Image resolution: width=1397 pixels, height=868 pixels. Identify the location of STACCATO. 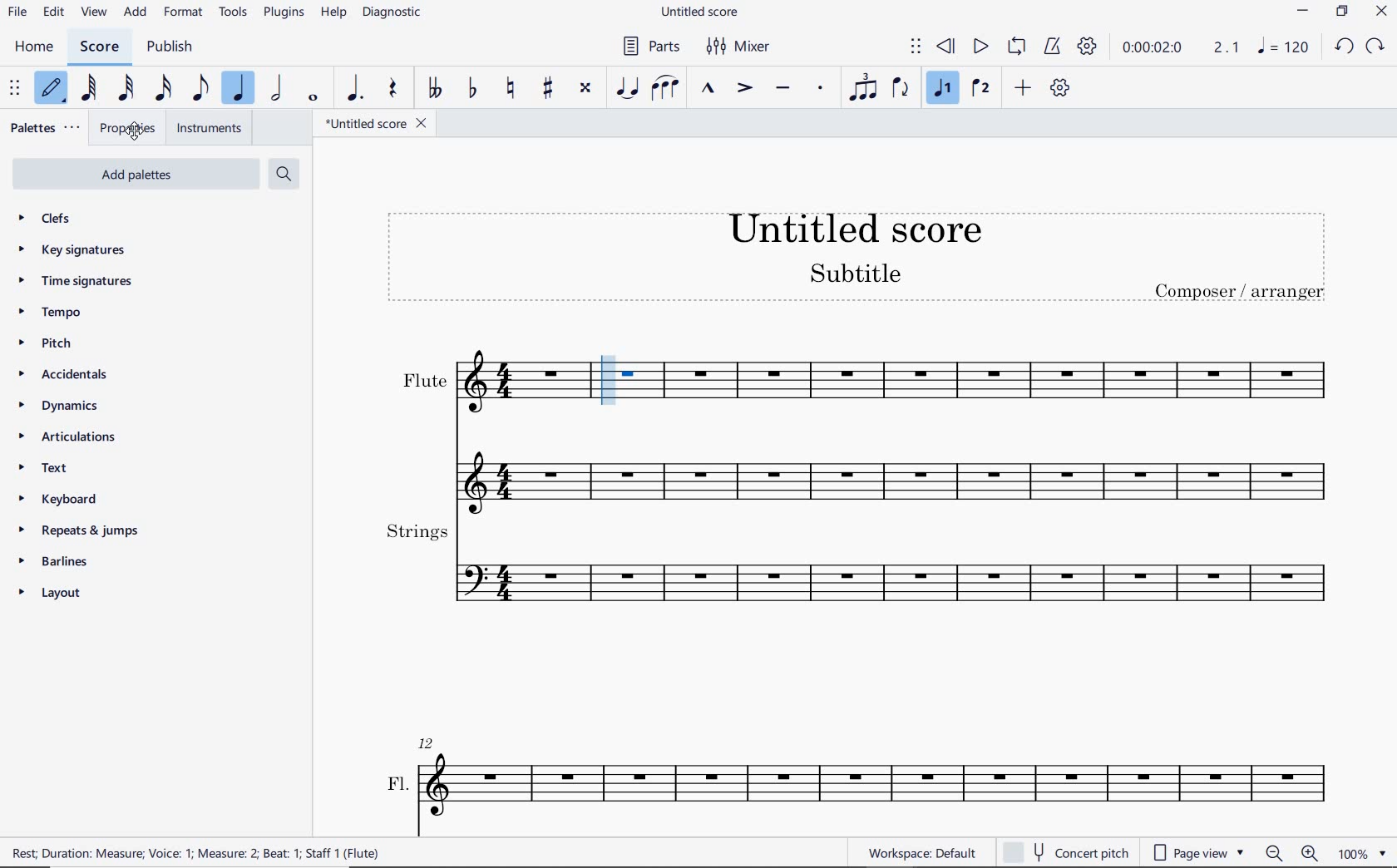
(822, 89).